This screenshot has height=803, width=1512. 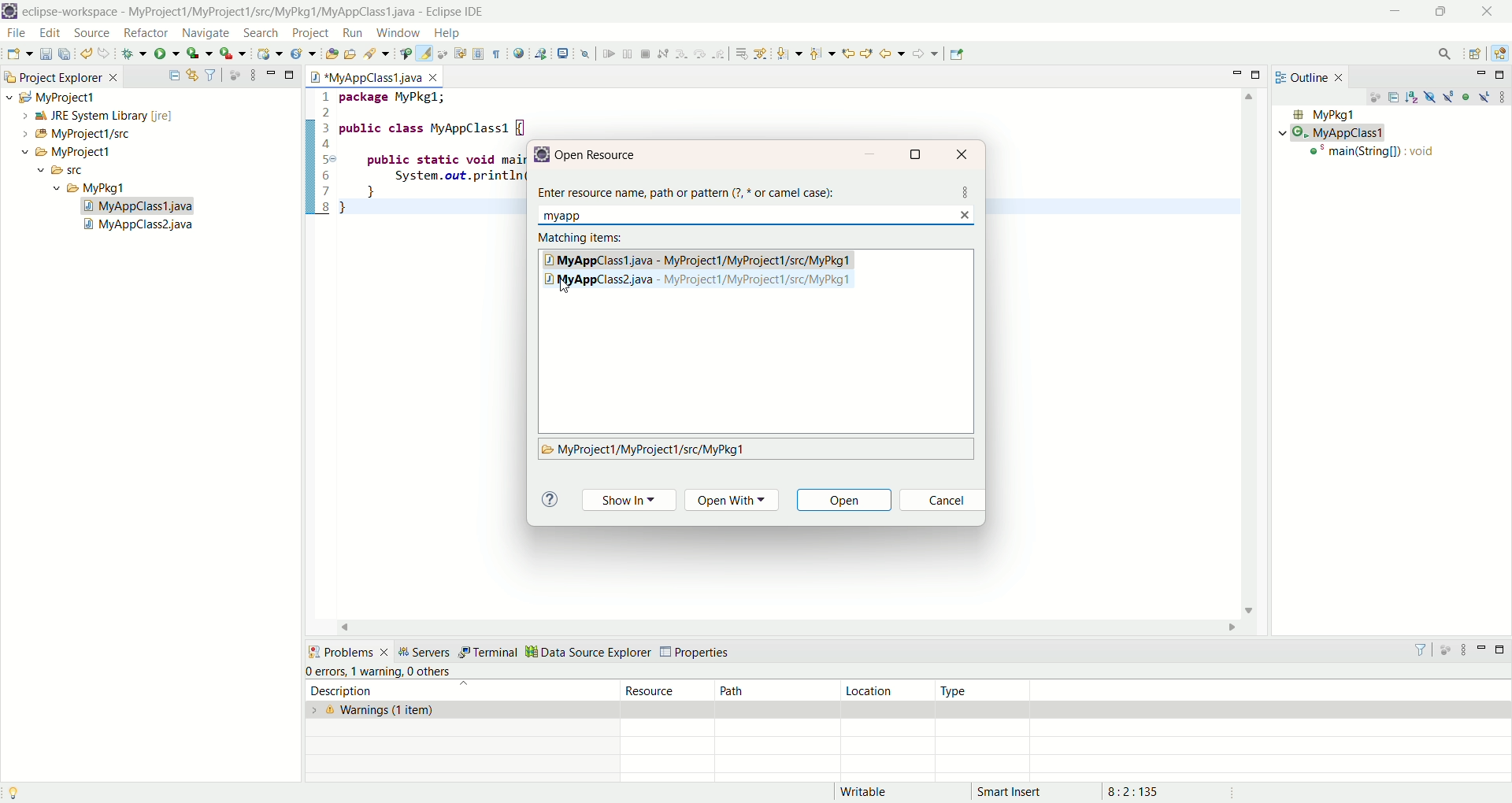 I want to click on myapp, so click(x=569, y=215).